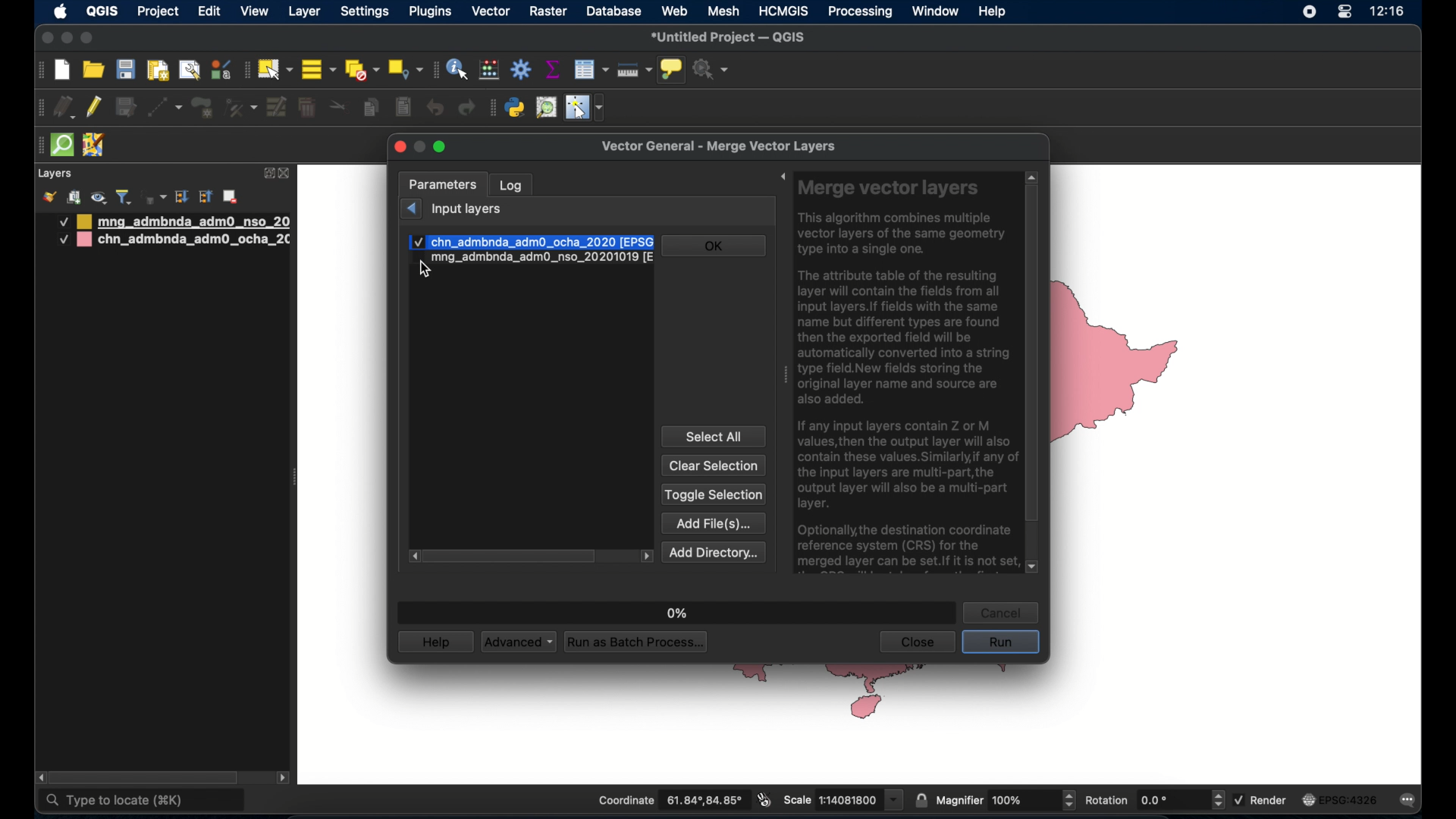  Describe the element at coordinates (433, 11) in the screenshot. I see `plugins` at that location.